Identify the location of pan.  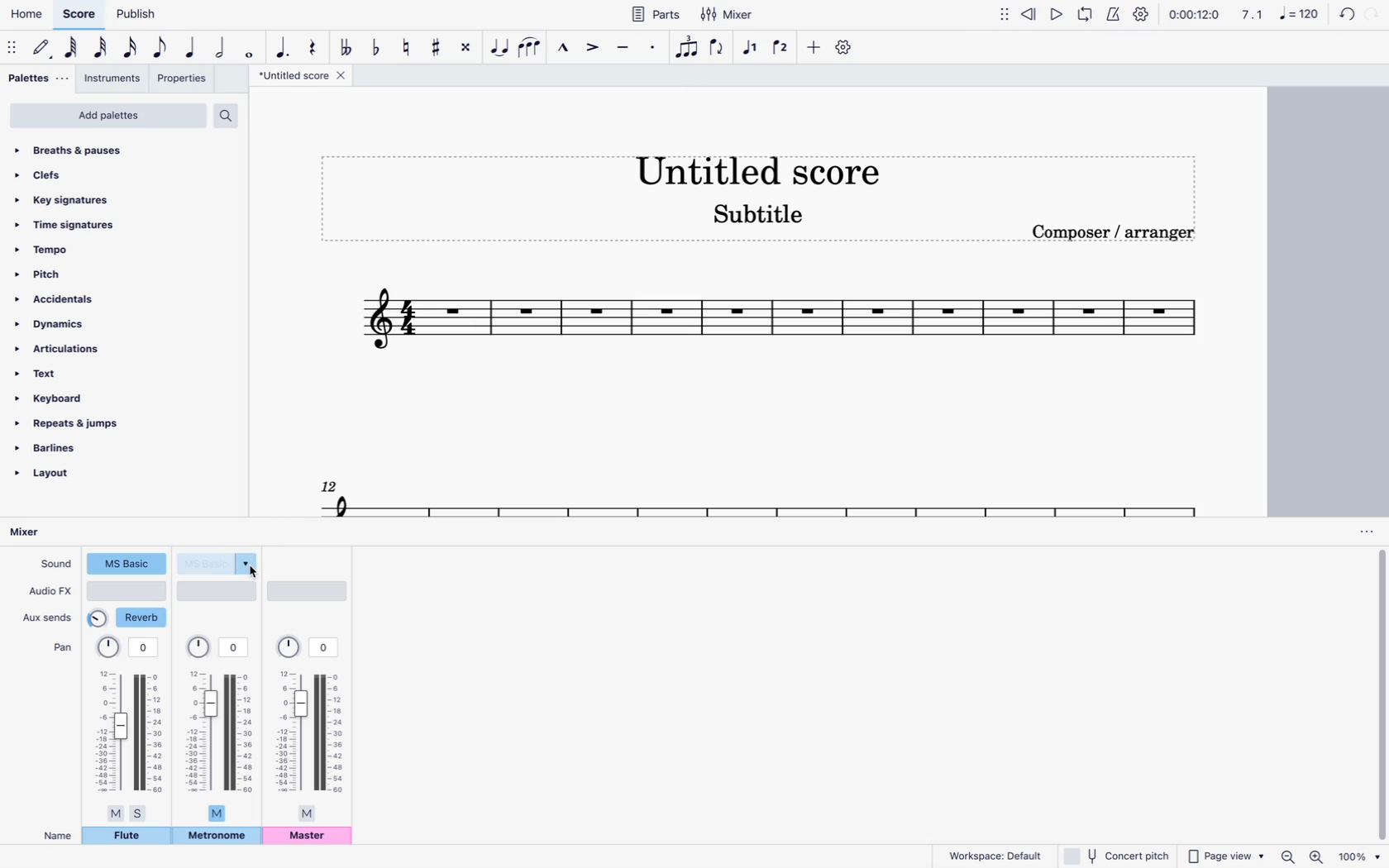
(60, 648).